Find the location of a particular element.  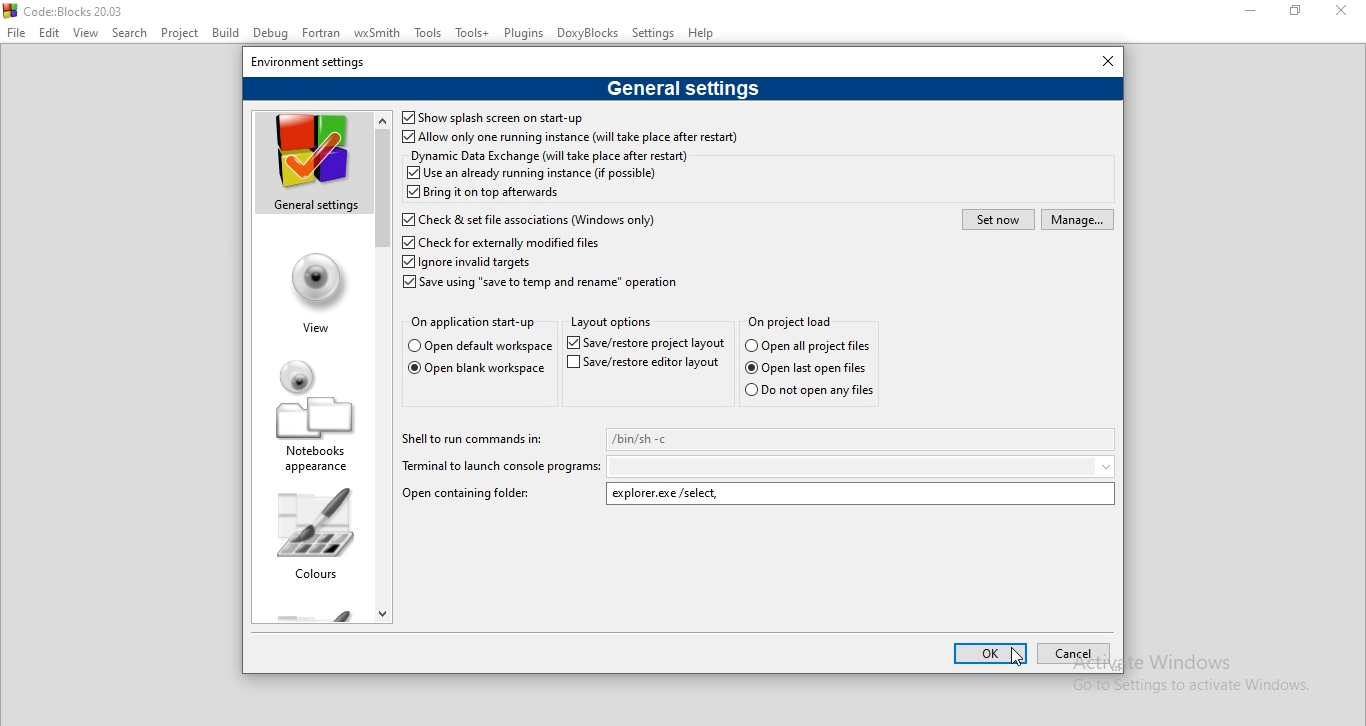

colours is located at coordinates (313, 533).